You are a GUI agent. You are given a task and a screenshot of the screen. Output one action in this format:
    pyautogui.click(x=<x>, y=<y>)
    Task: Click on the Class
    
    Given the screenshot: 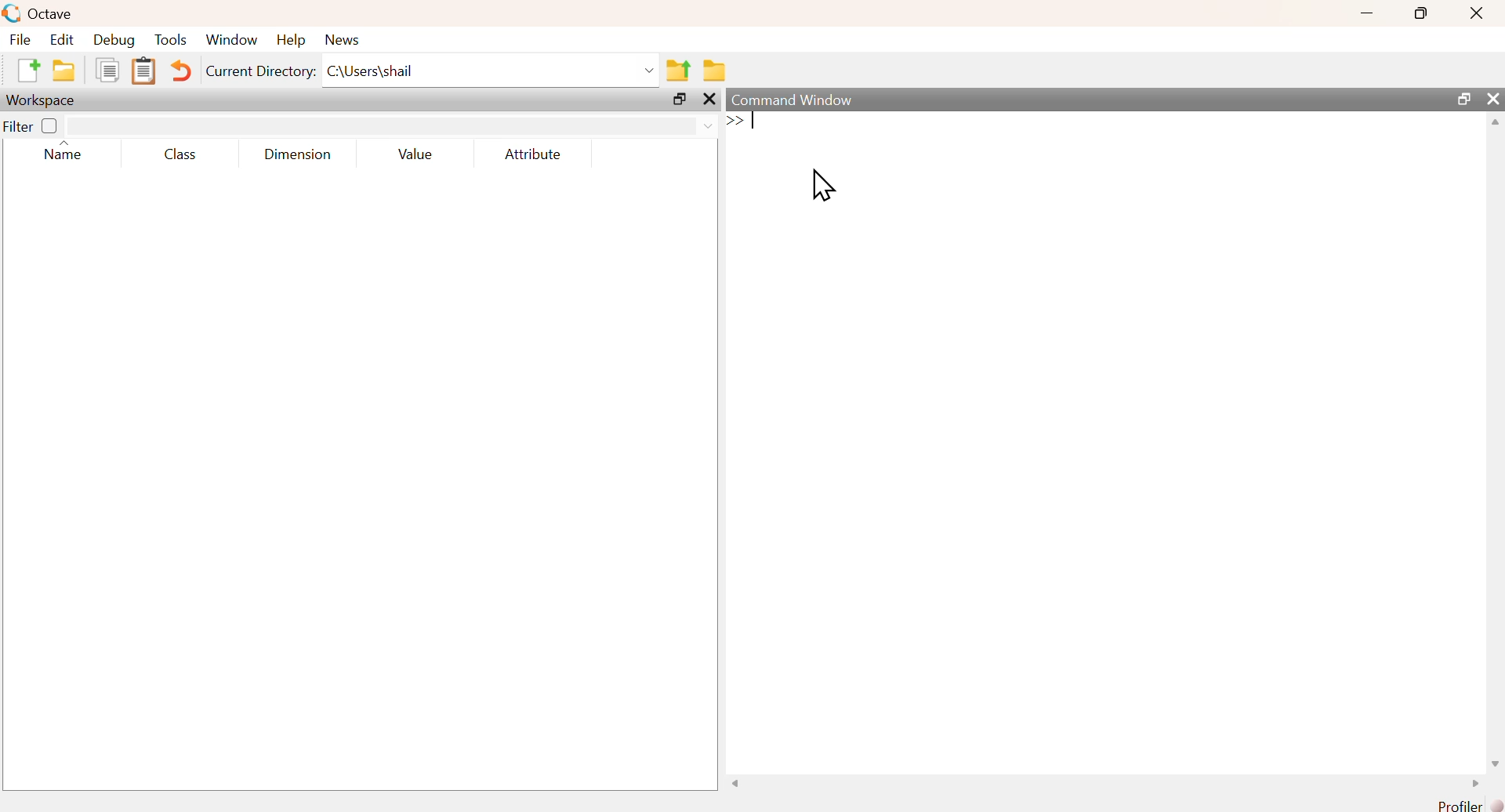 What is the action you would take?
    pyautogui.click(x=181, y=154)
    